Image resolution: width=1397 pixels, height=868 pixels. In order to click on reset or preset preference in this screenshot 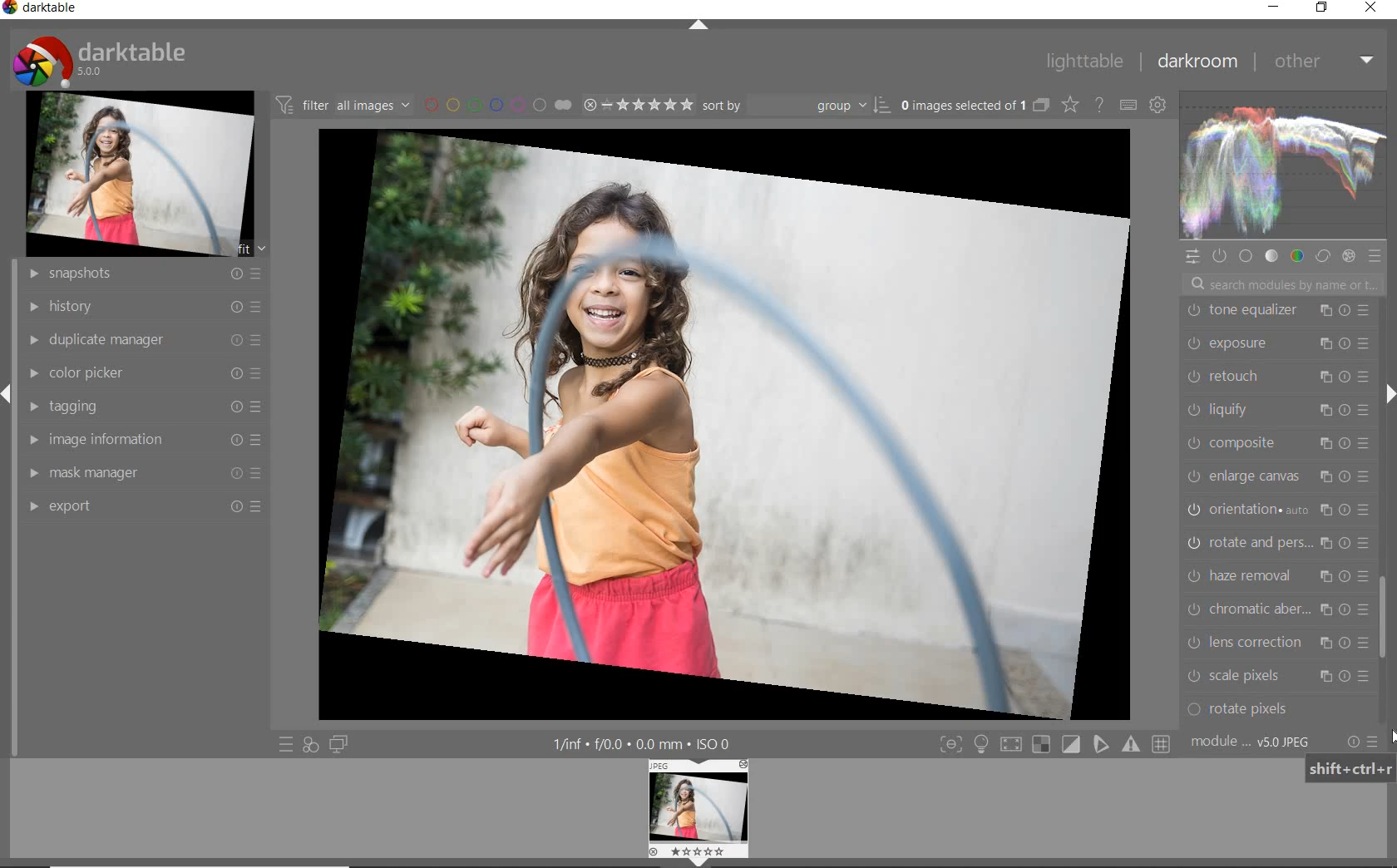, I will do `click(1359, 742)`.